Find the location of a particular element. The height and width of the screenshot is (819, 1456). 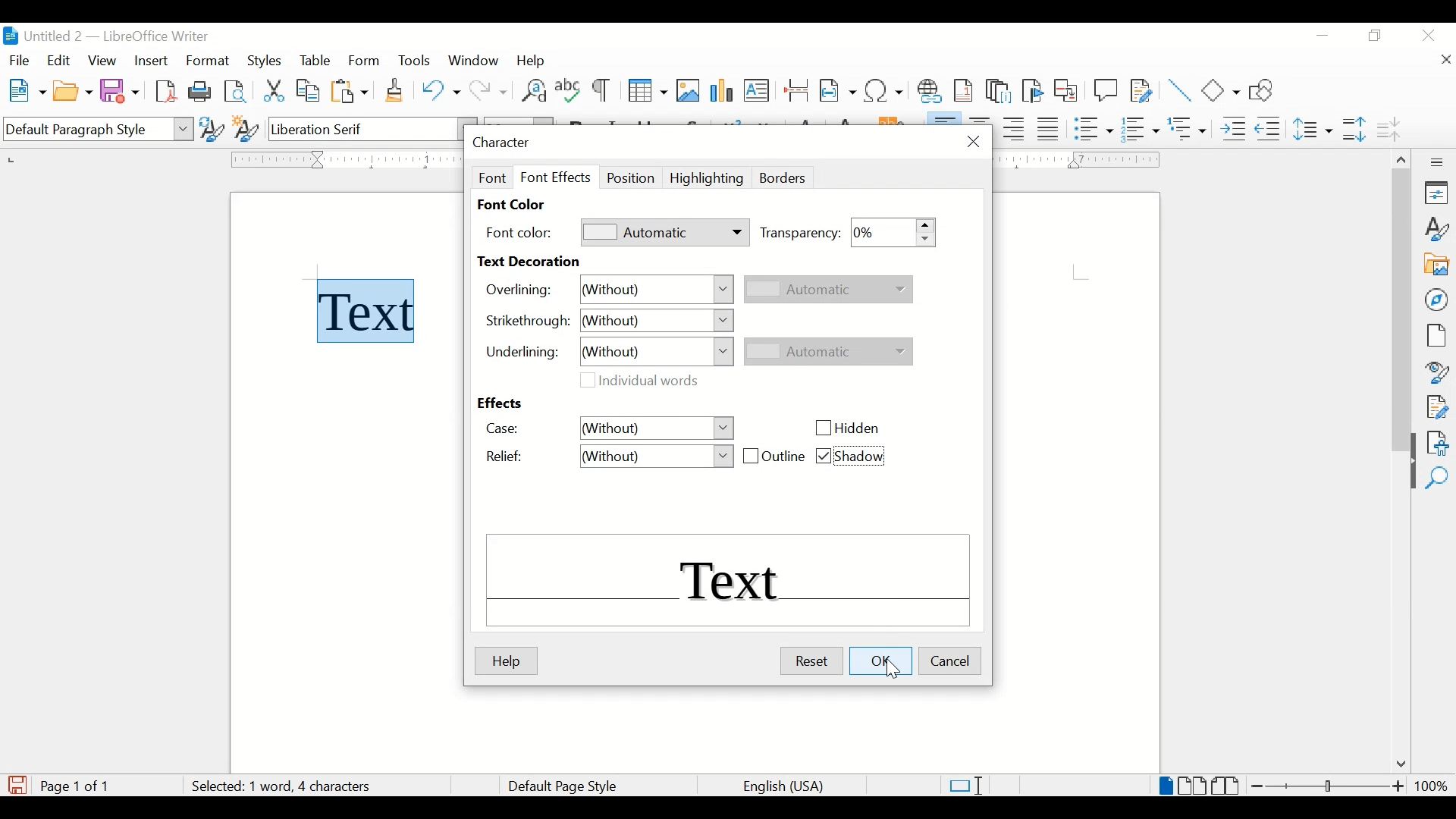

font  is located at coordinates (491, 178).